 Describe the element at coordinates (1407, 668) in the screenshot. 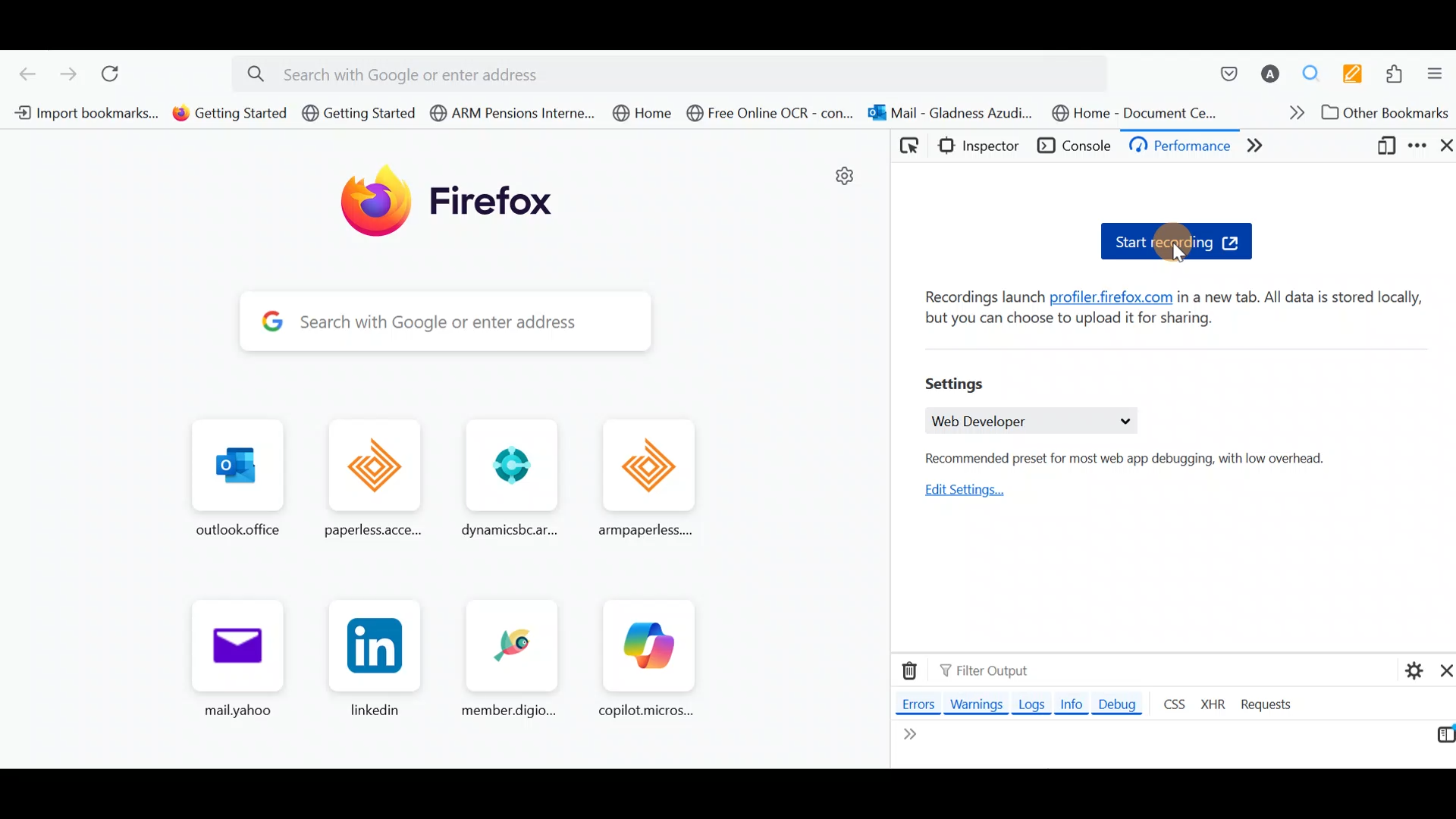

I see `Console settings` at that location.